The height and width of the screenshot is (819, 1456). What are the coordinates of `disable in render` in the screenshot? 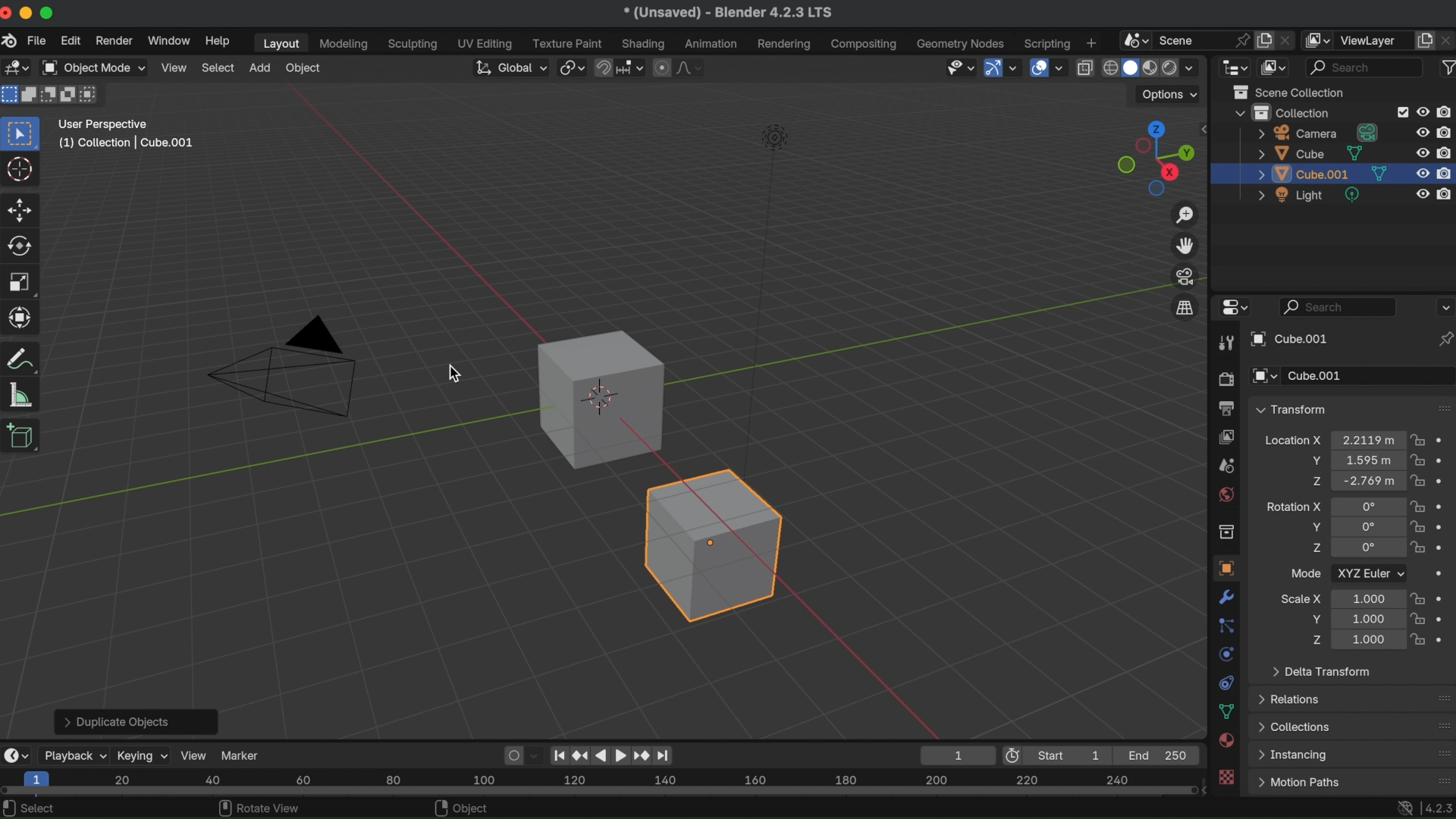 It's located at (1445, 131).